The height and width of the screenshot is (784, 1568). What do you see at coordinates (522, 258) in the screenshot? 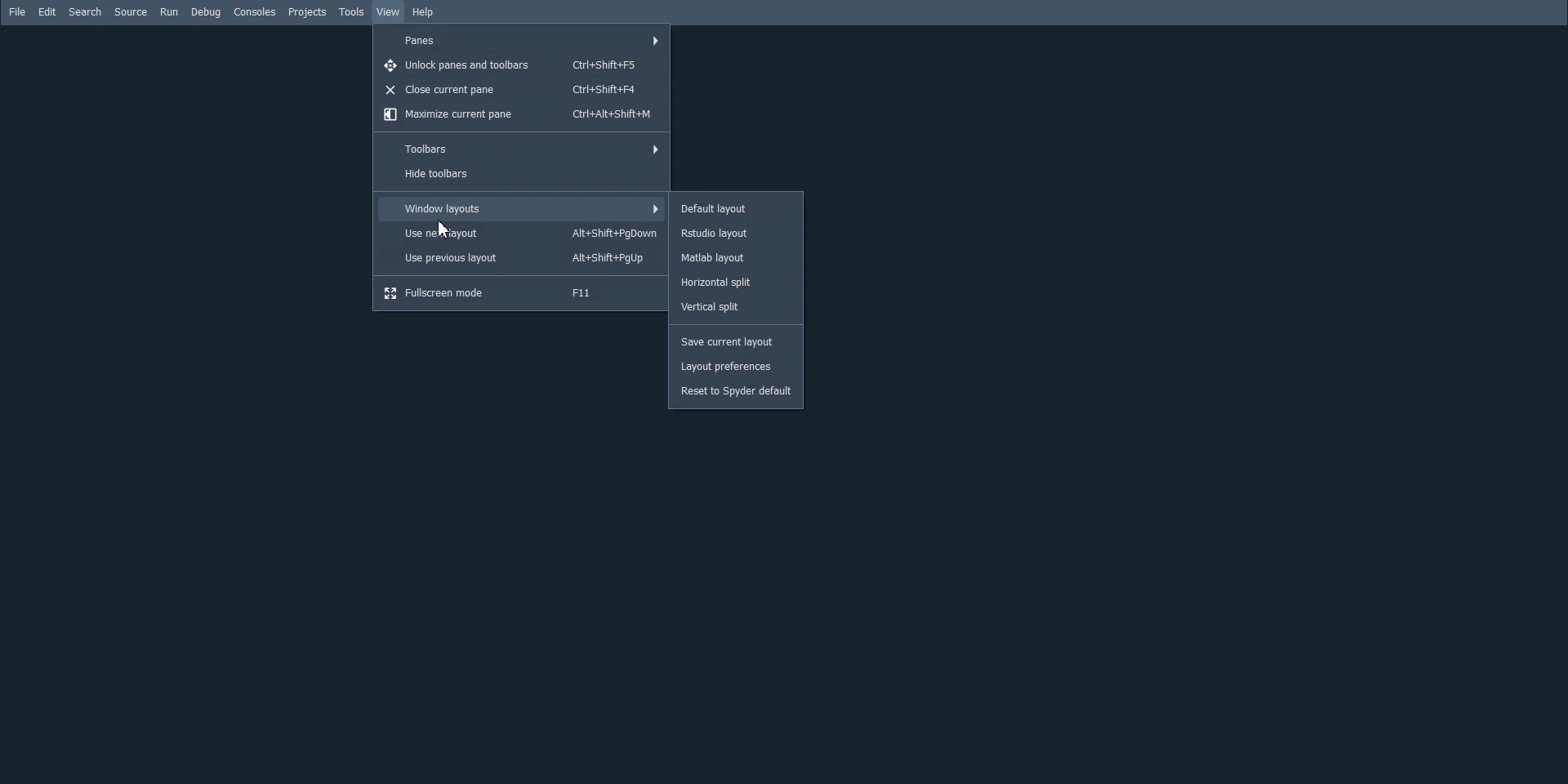
I see `Use previous layout` at bounding box center [522, 258].